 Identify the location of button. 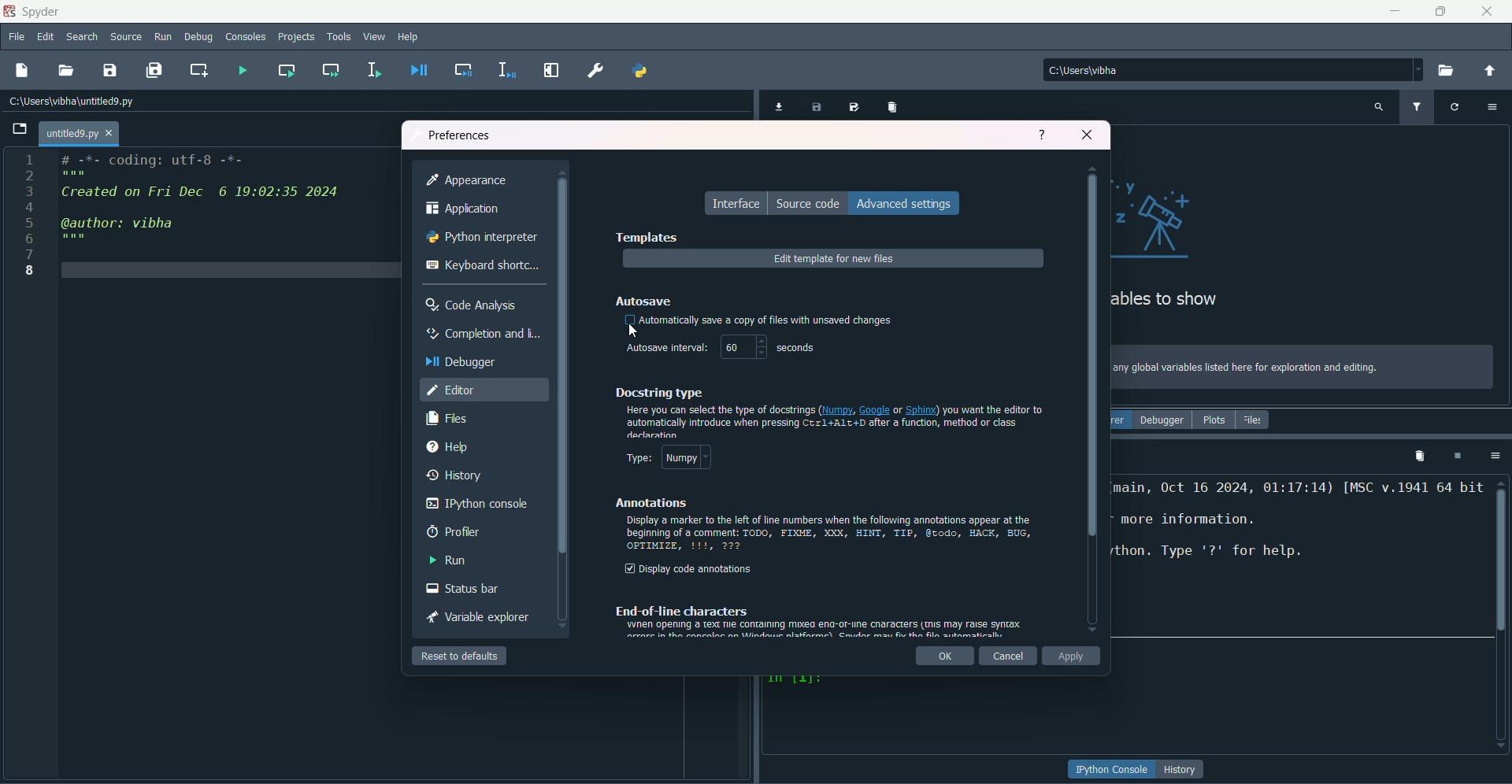
(1182, 769).